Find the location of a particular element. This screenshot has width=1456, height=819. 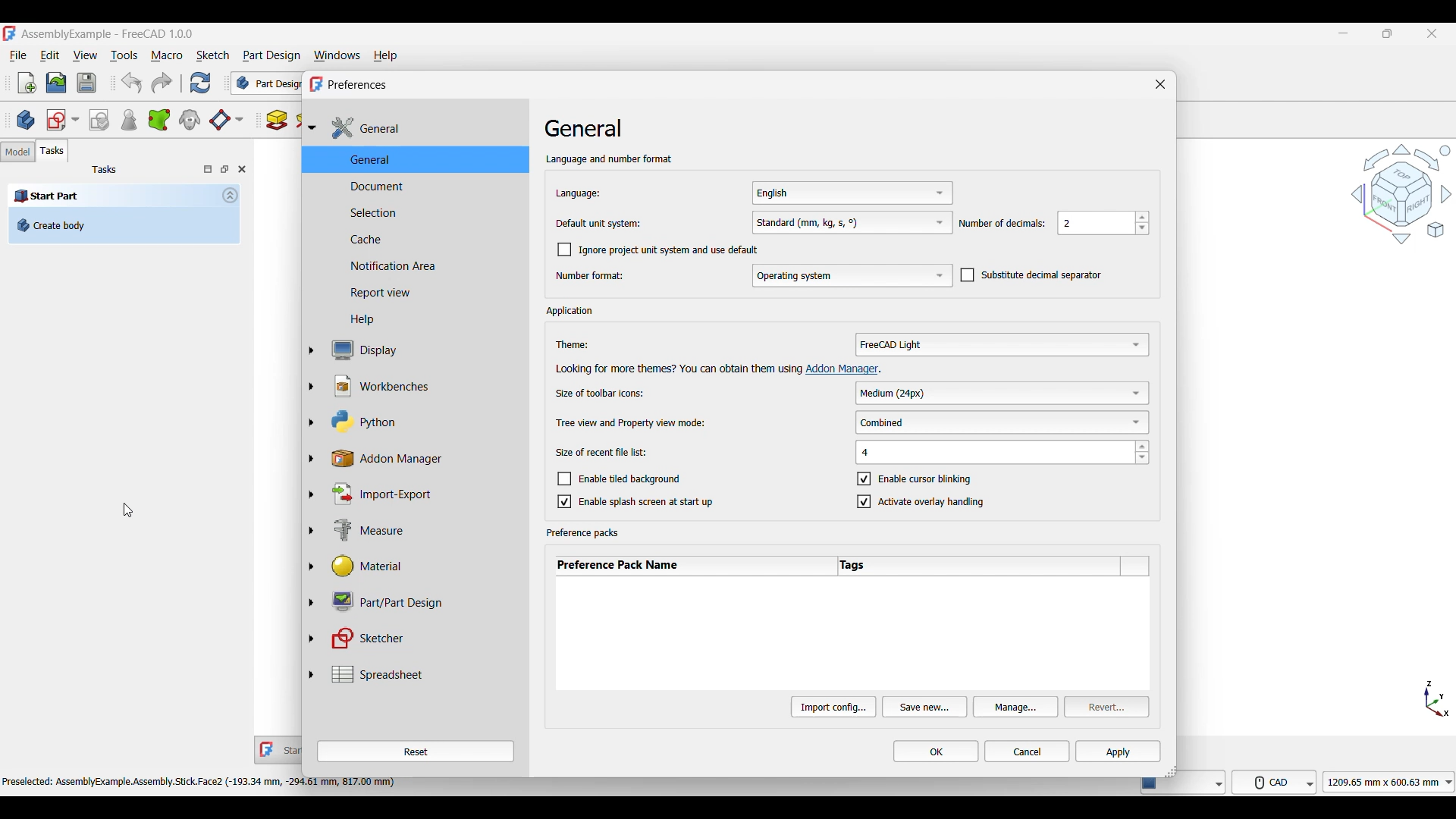

Undo is located at coordinates (131, 83).